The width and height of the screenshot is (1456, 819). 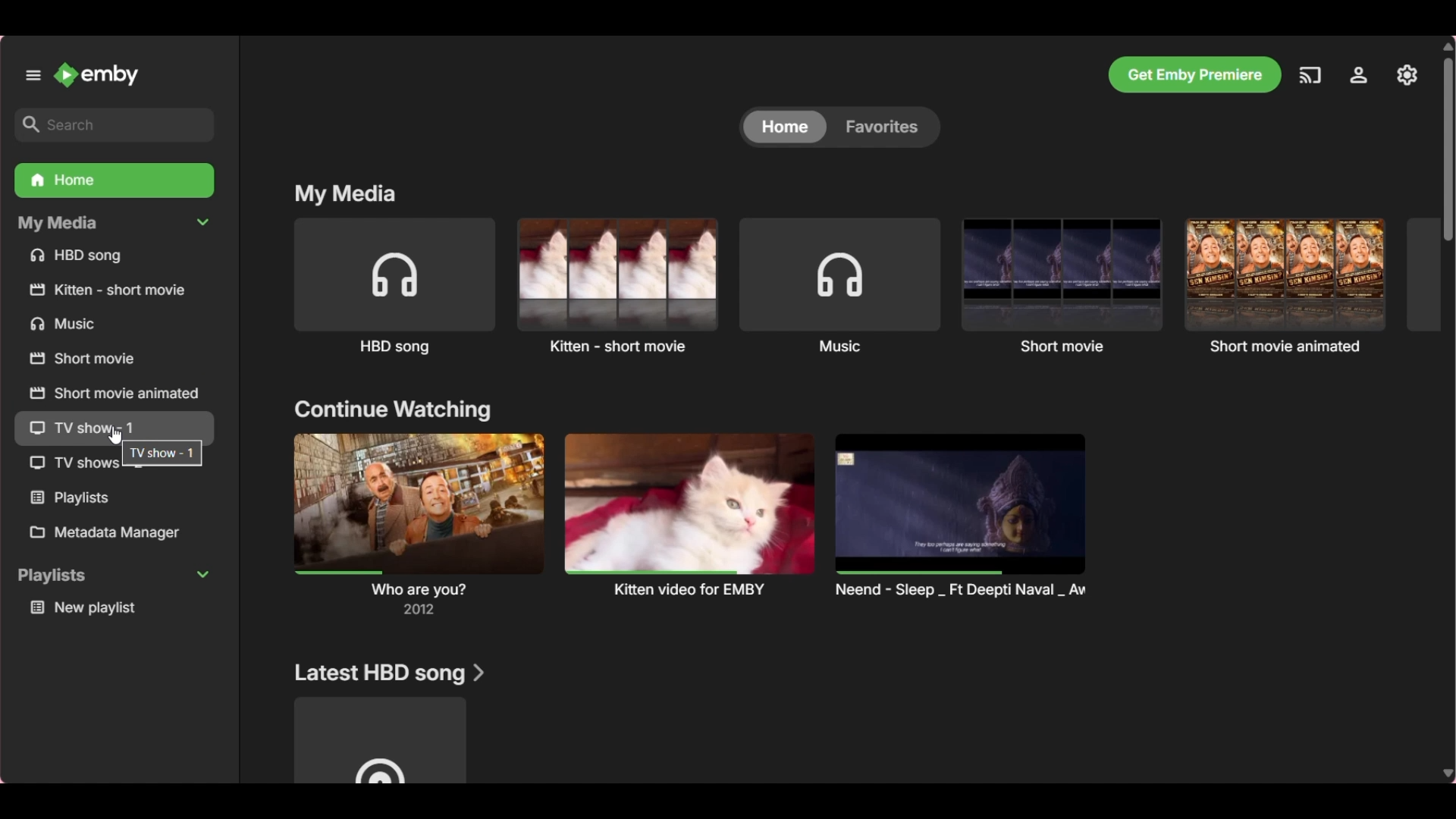 What do you see at coordinates (689, 516) in the screenshot?
I see `Latest watch` at bounding box center [689, 516].